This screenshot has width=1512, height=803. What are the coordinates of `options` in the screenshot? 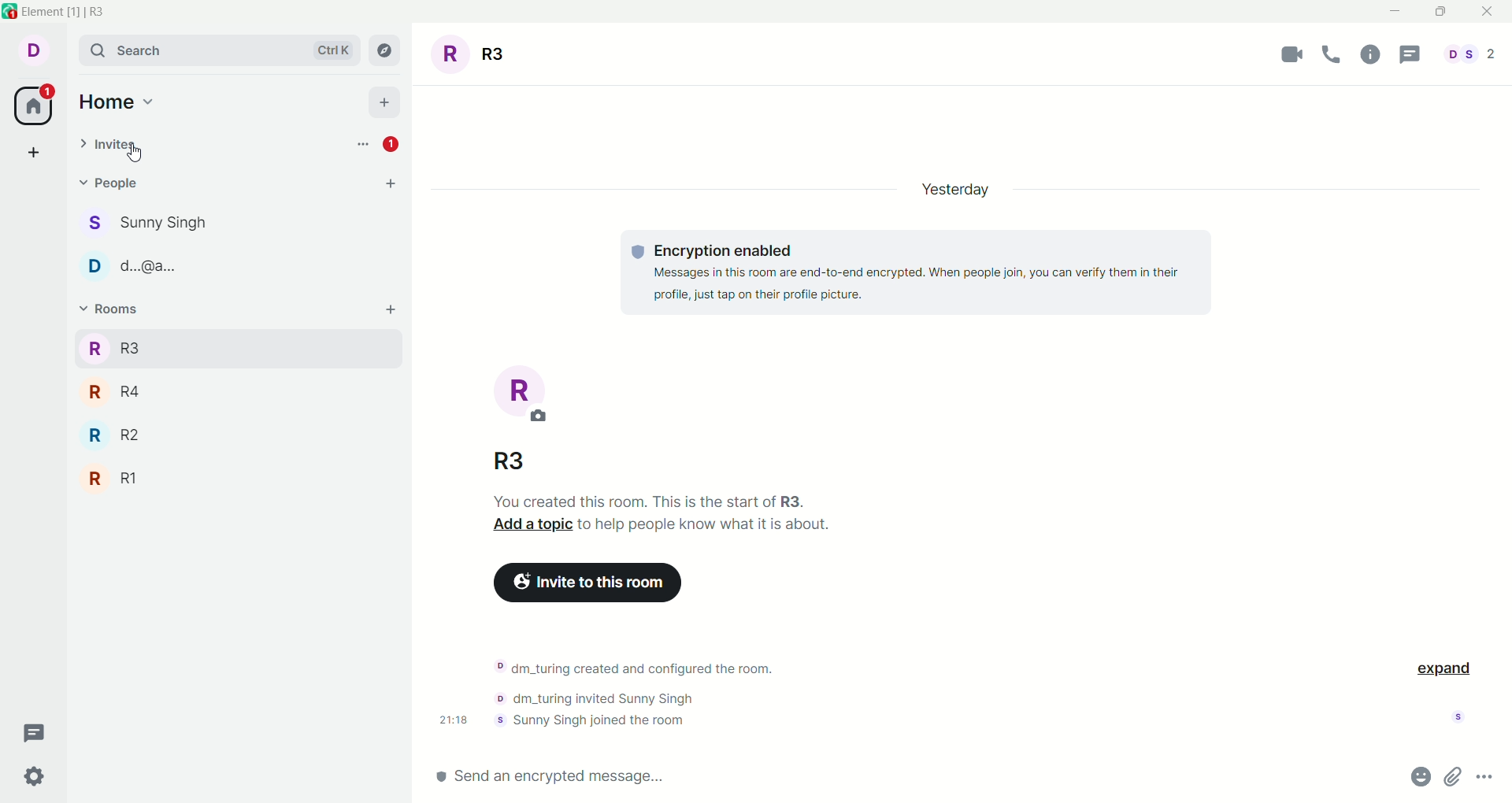 It's located at (365, 145).